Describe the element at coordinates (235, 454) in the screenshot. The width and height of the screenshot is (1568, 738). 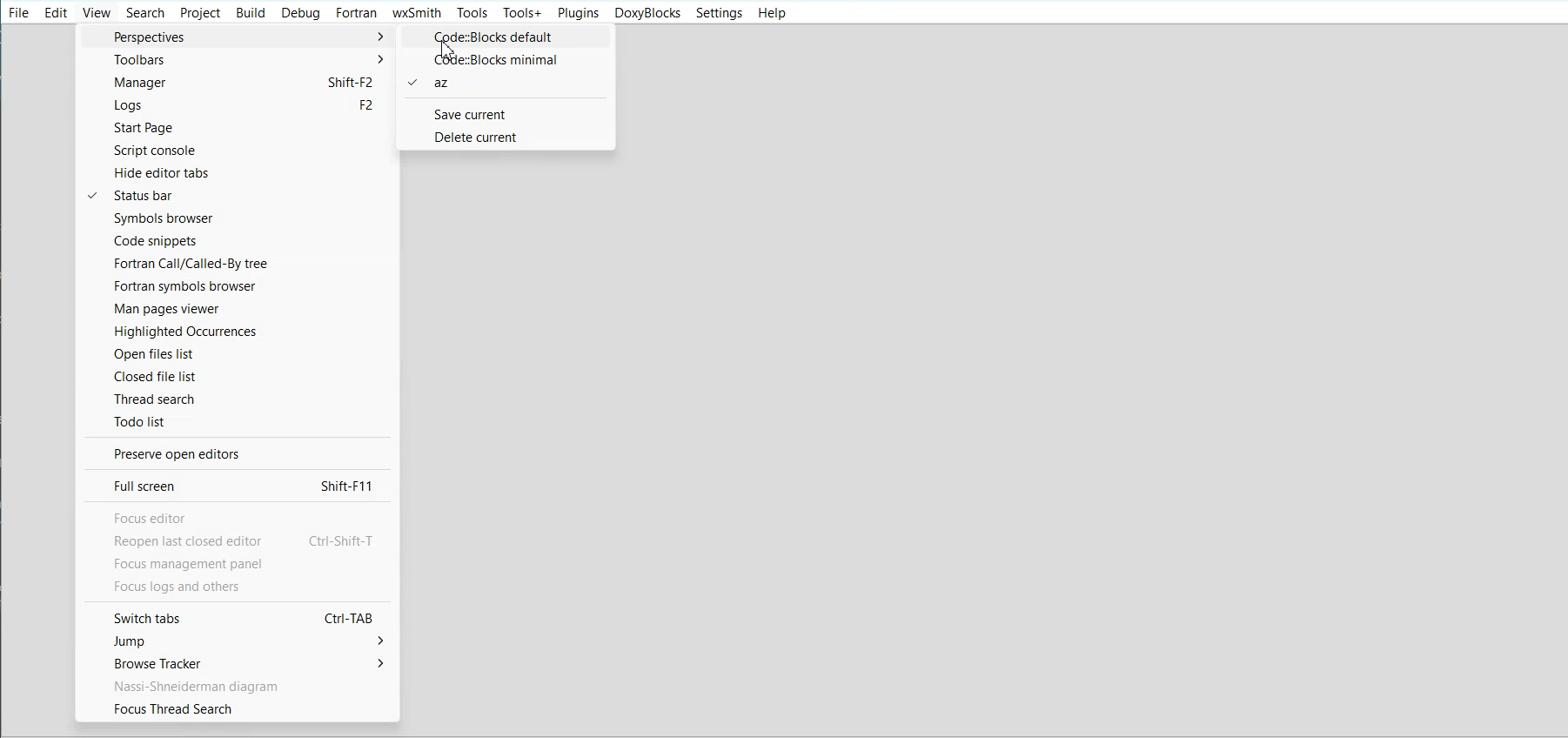
I see `Preserve open editor` at that location.